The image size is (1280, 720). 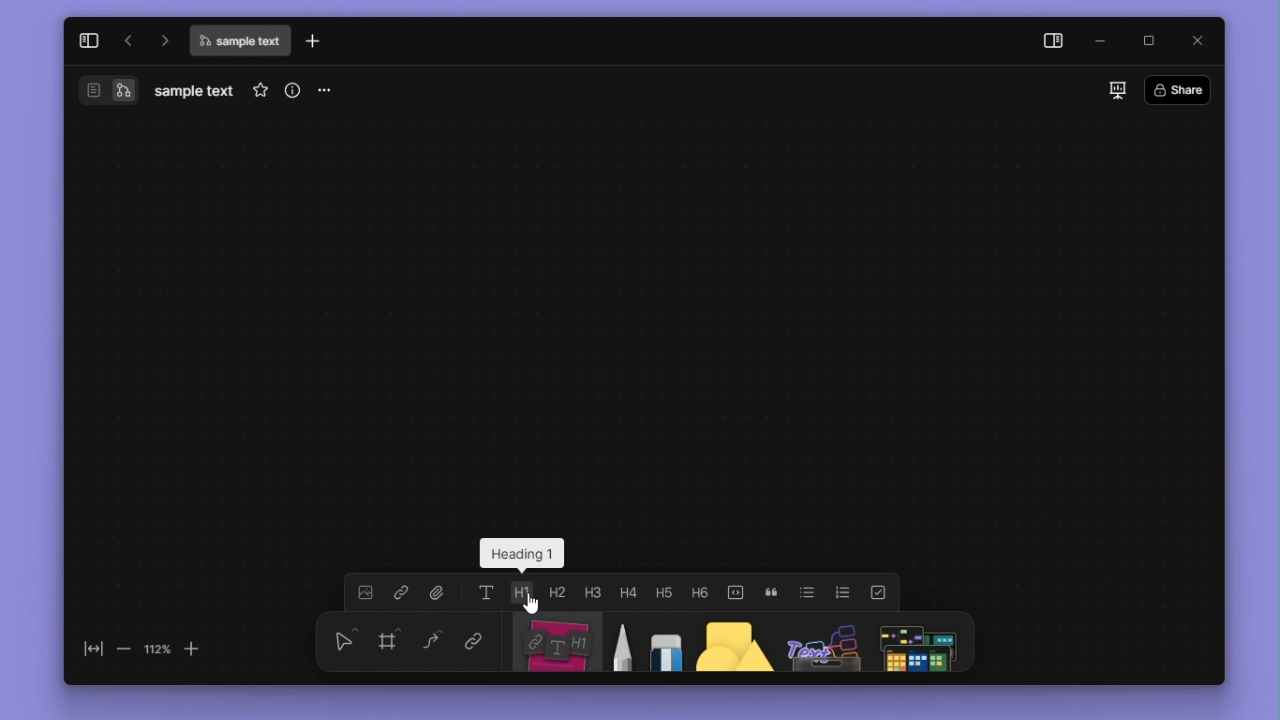 I want to click on select, so click(x=345, y=640).